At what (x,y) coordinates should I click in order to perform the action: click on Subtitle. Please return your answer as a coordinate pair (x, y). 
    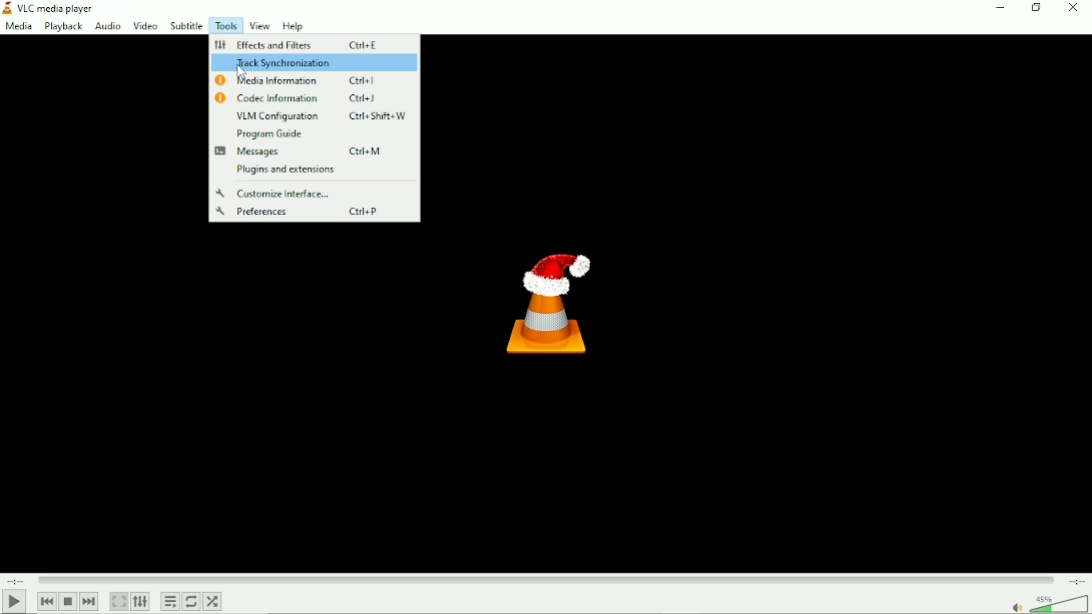
    Looking at the image, I should click on (186, 26).